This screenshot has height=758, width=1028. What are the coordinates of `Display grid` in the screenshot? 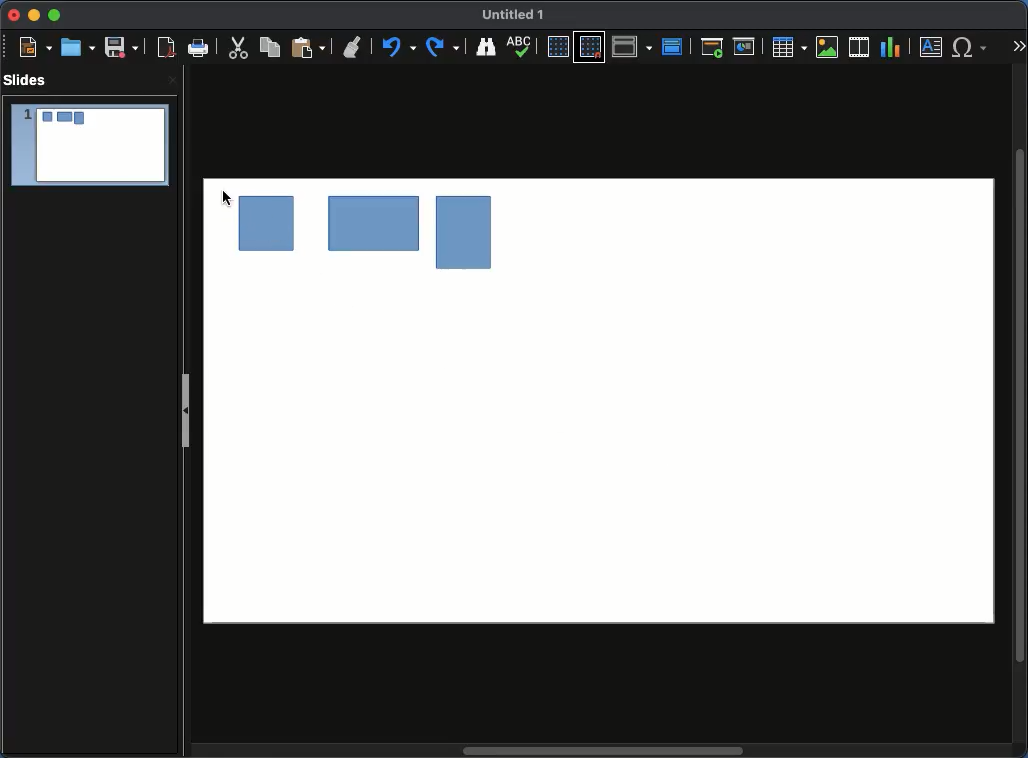 It's located at (556, 47).